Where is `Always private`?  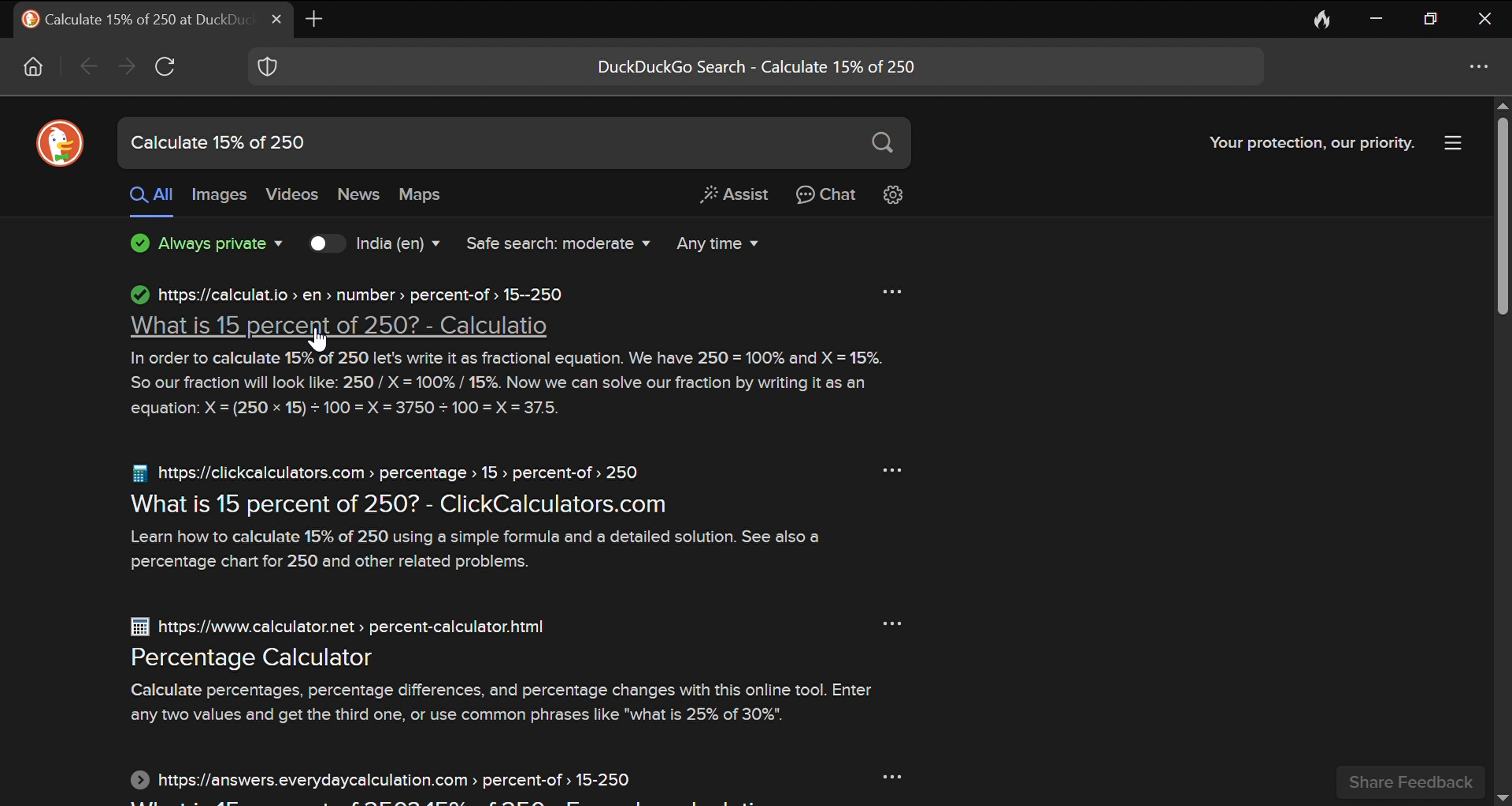
Always private is located at coordinates (198, 244).